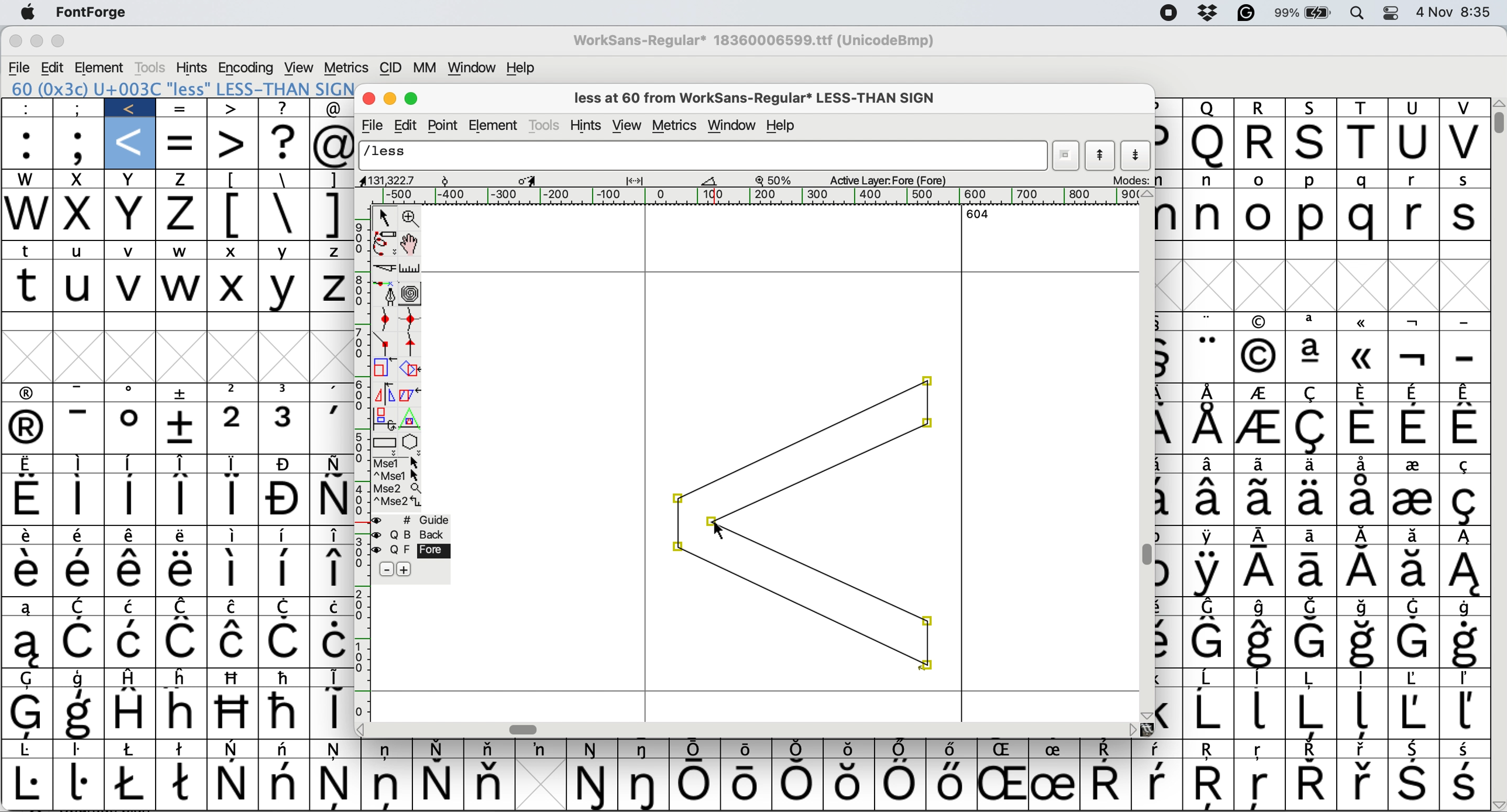 The height and width of the screenshot is (812, 1507). Describe the element at coordinates (1209, 464) in the screenshot. I see `Symbol` at that location.